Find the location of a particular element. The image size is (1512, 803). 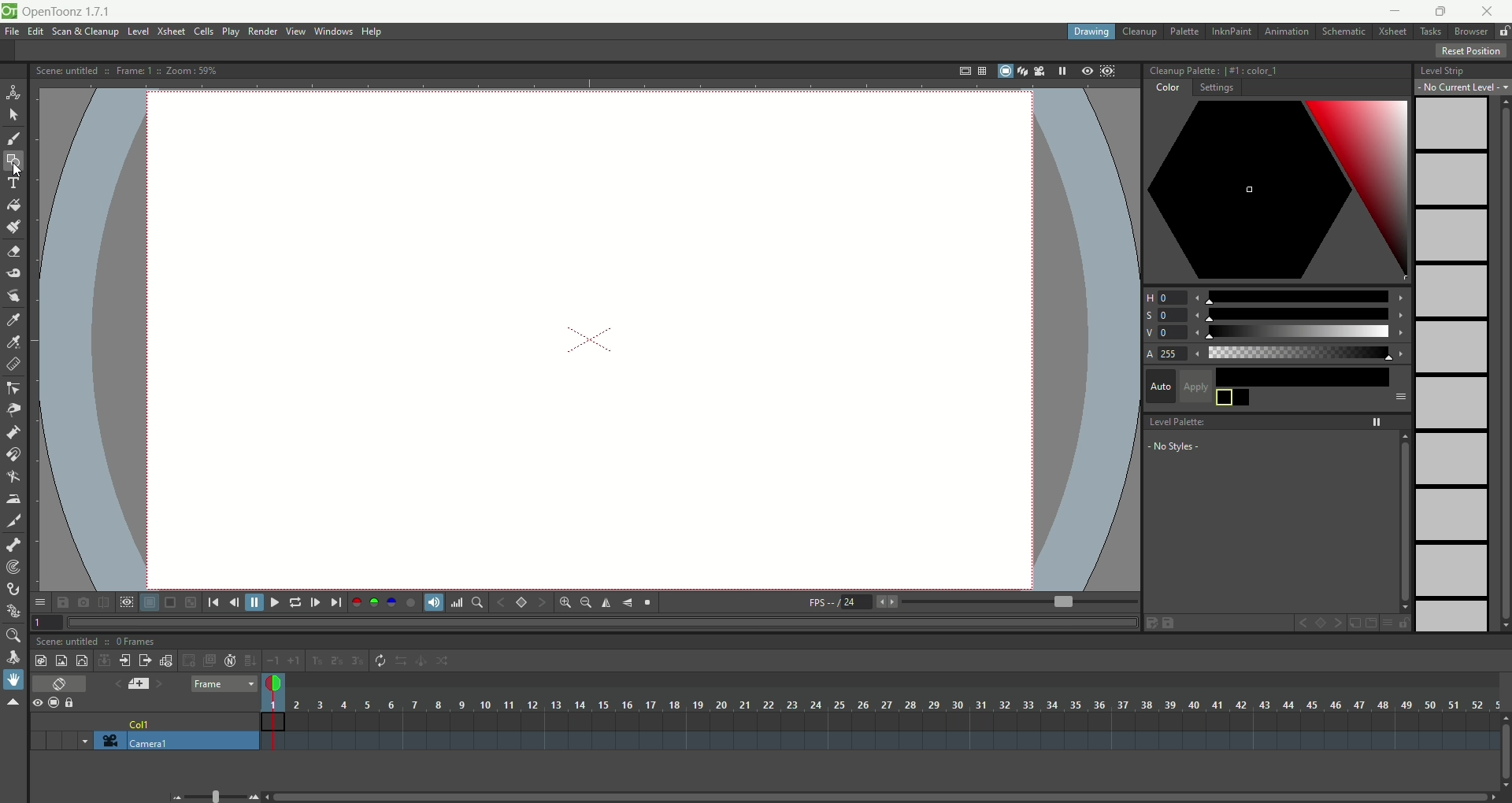

fill tool is located at coordinates (13, 205).